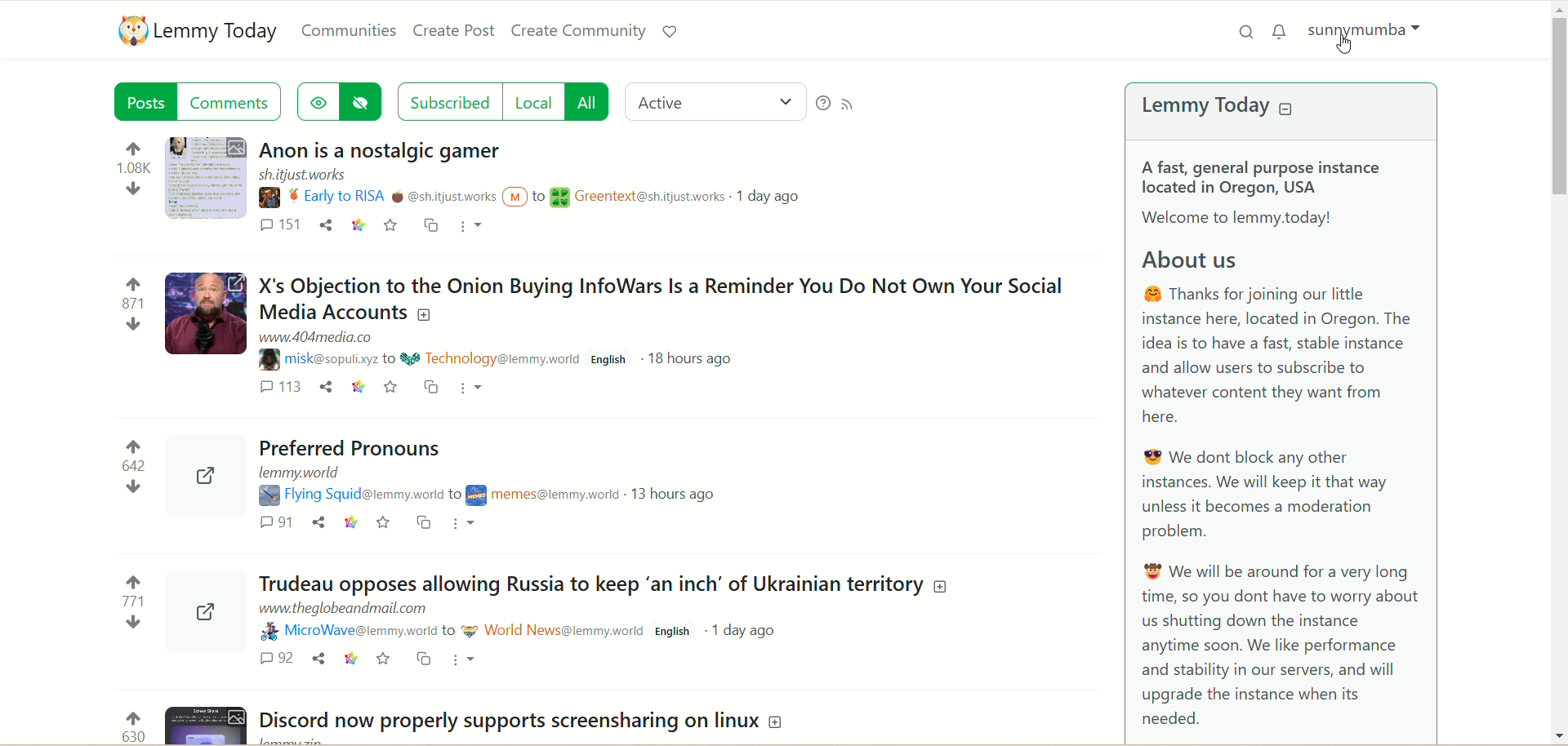  I want to click on hide posts, so click(365, 102).